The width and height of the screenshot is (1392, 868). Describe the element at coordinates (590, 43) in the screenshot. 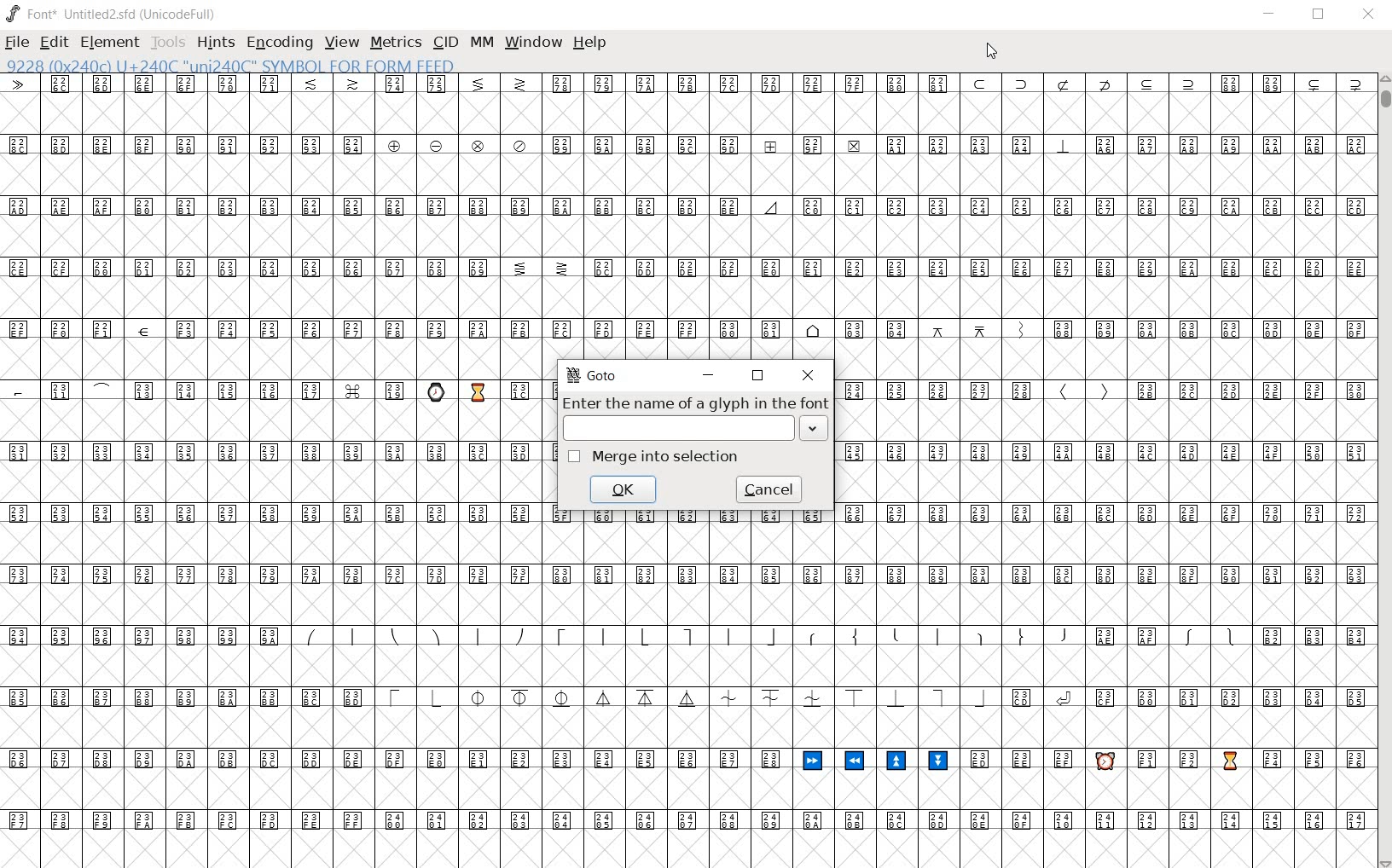

I see `help` at that location.